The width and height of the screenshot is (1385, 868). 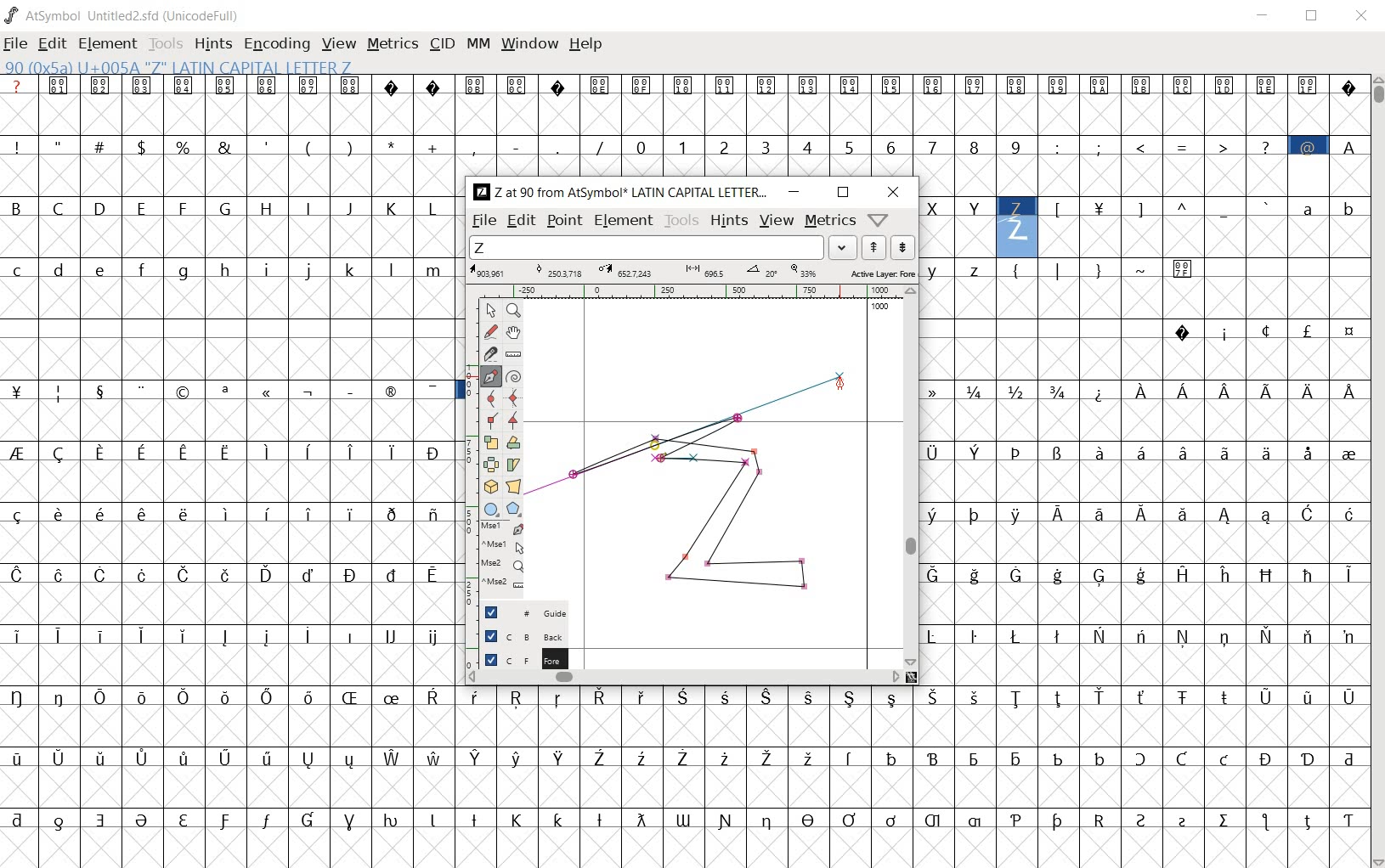 I want to click on view, so click(x=776, y=222).